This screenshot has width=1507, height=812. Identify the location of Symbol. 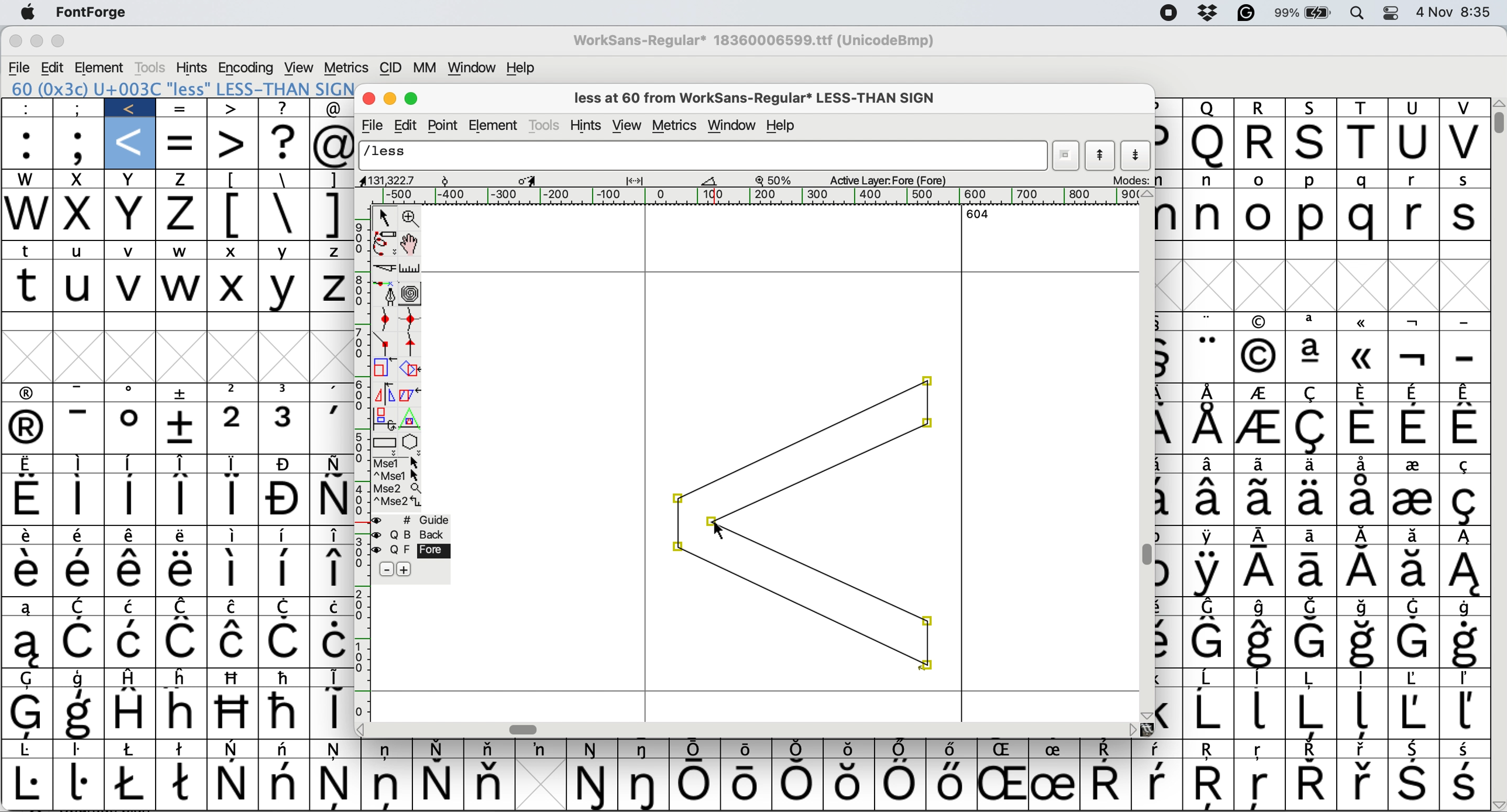
(1208, 679).